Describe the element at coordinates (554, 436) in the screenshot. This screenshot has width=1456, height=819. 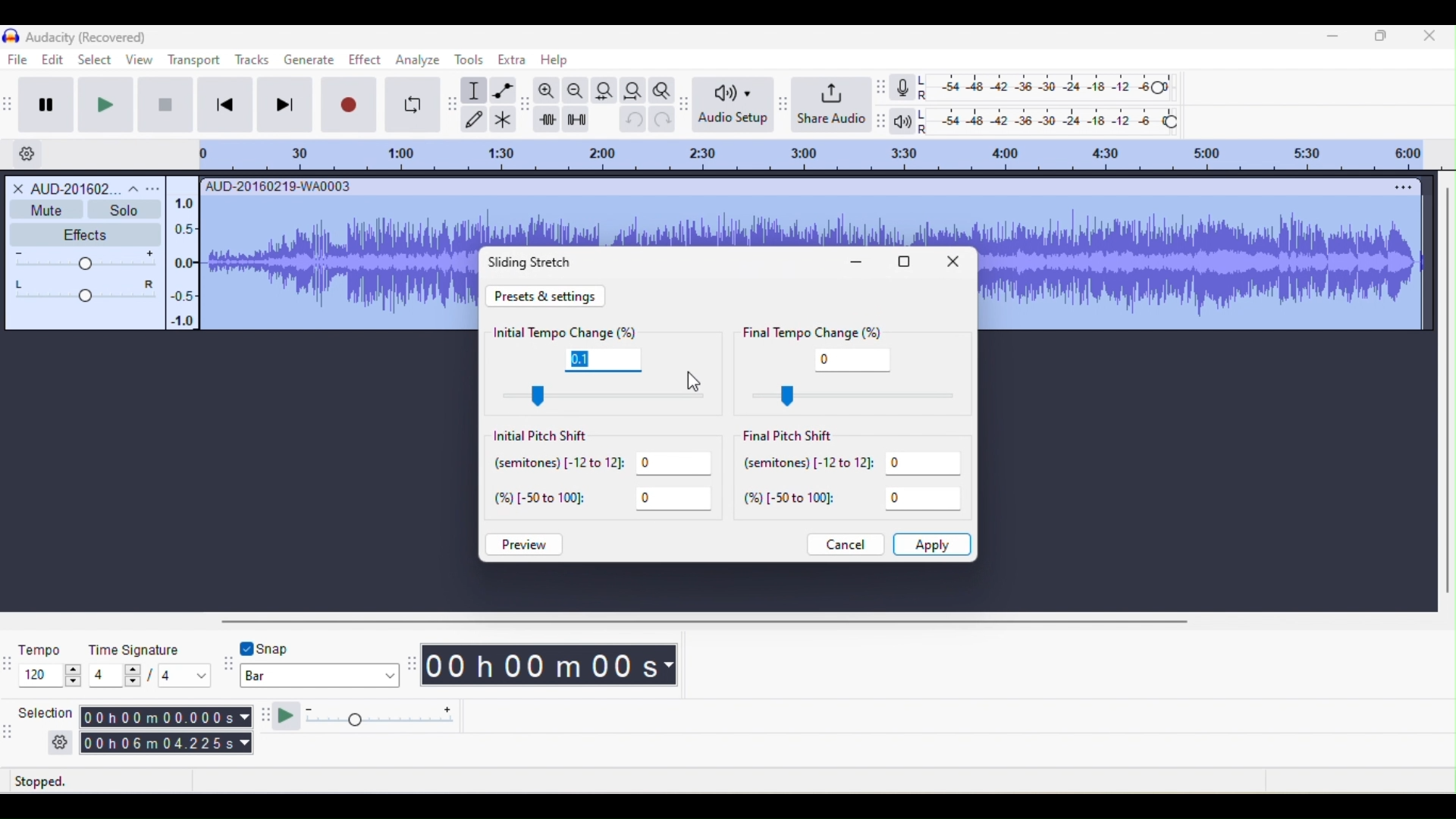
I see `initial pitch shift` at that location.